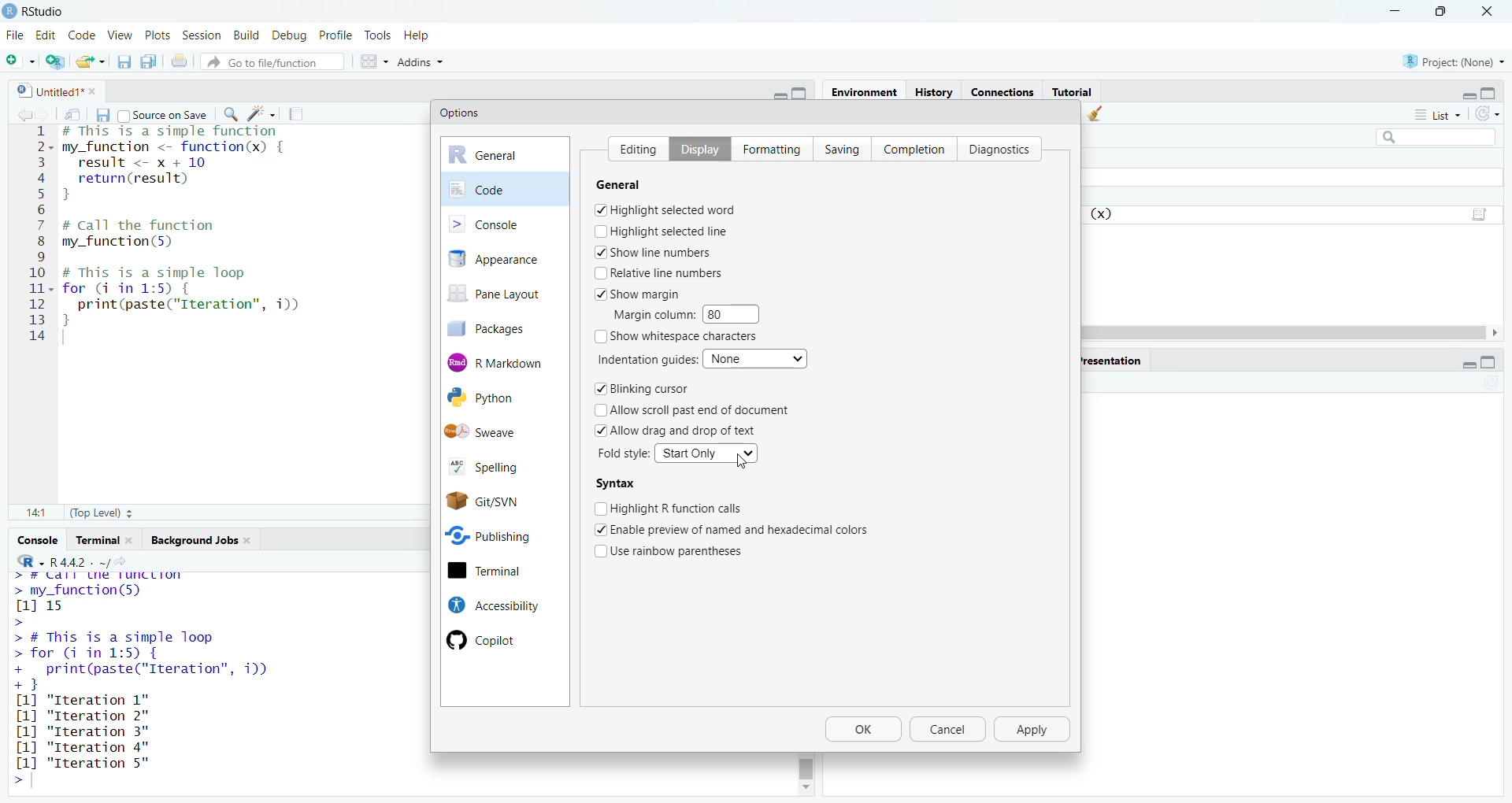 This screenshot has height=803, width=1512. Describe the element at coordinates (200, 33) in the screenshot. I see `session` at that location.